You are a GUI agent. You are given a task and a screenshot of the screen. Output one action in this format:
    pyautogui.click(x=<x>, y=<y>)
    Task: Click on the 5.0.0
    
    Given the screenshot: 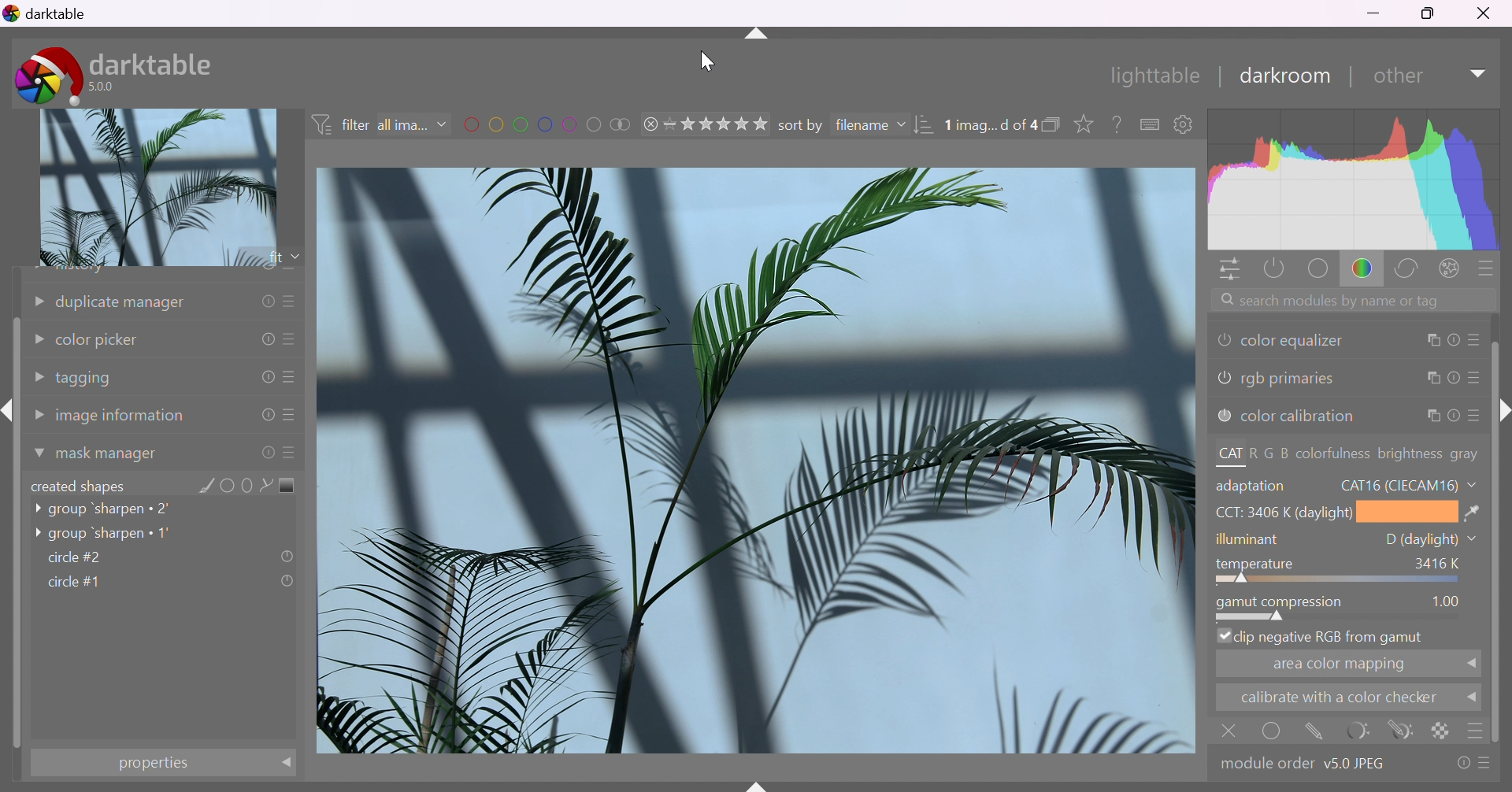 What is the action you would take?
    pyautogui.click(x=109, y=90)
    